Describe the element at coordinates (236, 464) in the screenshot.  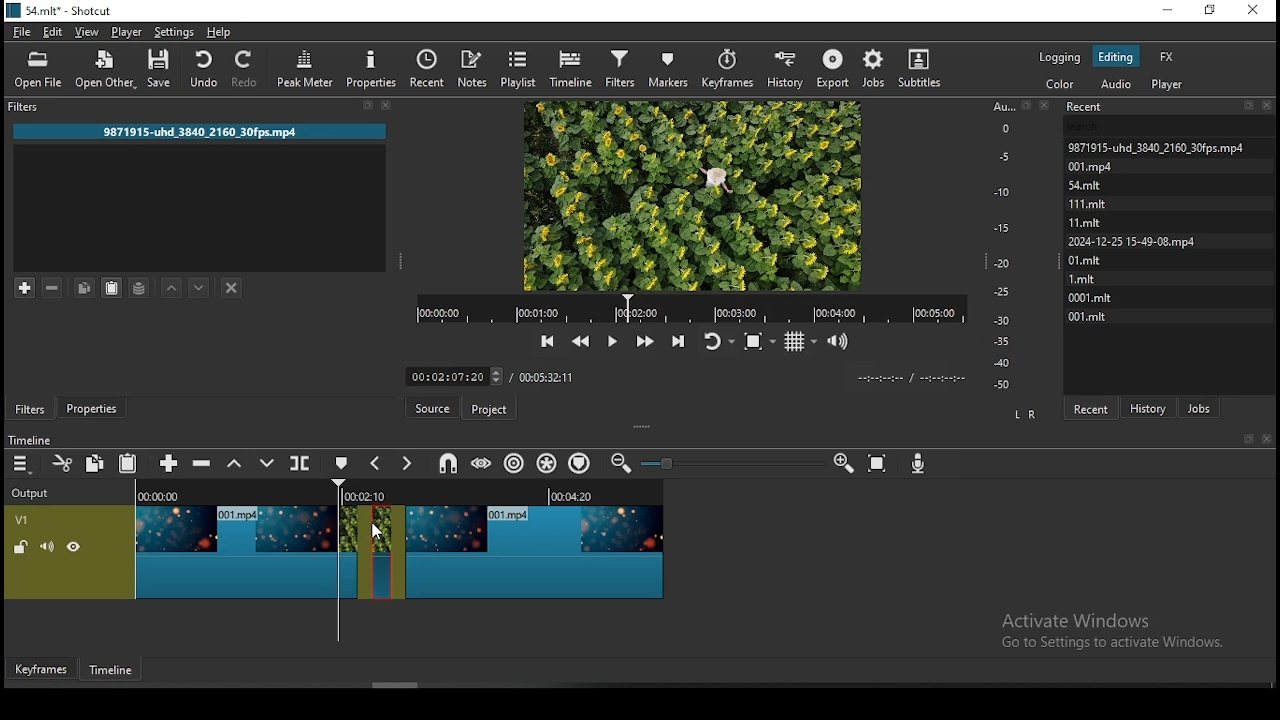
I see `lift` at that location.